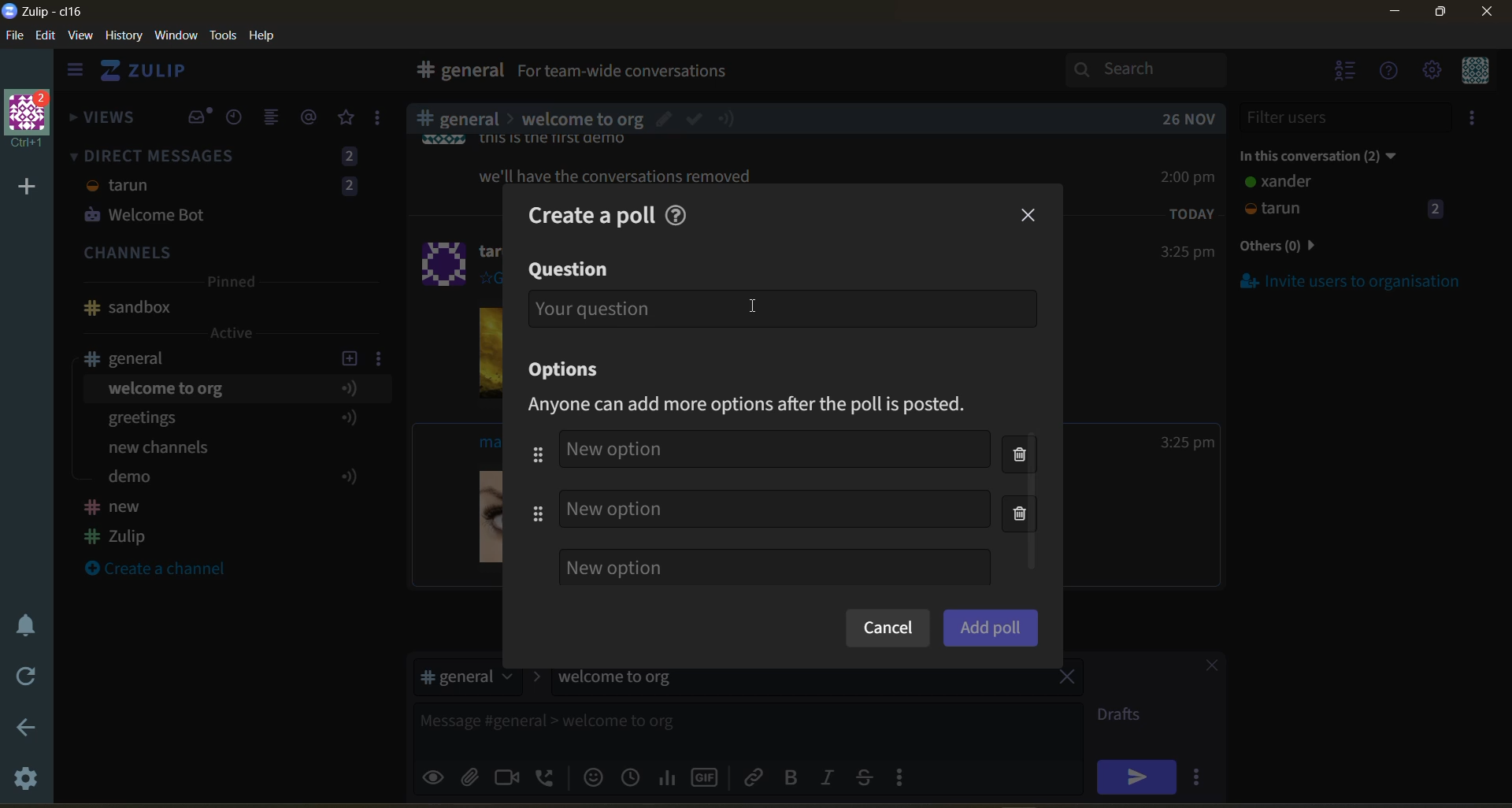  What do you see at coordinates (751, 303) in the screenshot?
I see `cursor` at bounding box center [751, 303].